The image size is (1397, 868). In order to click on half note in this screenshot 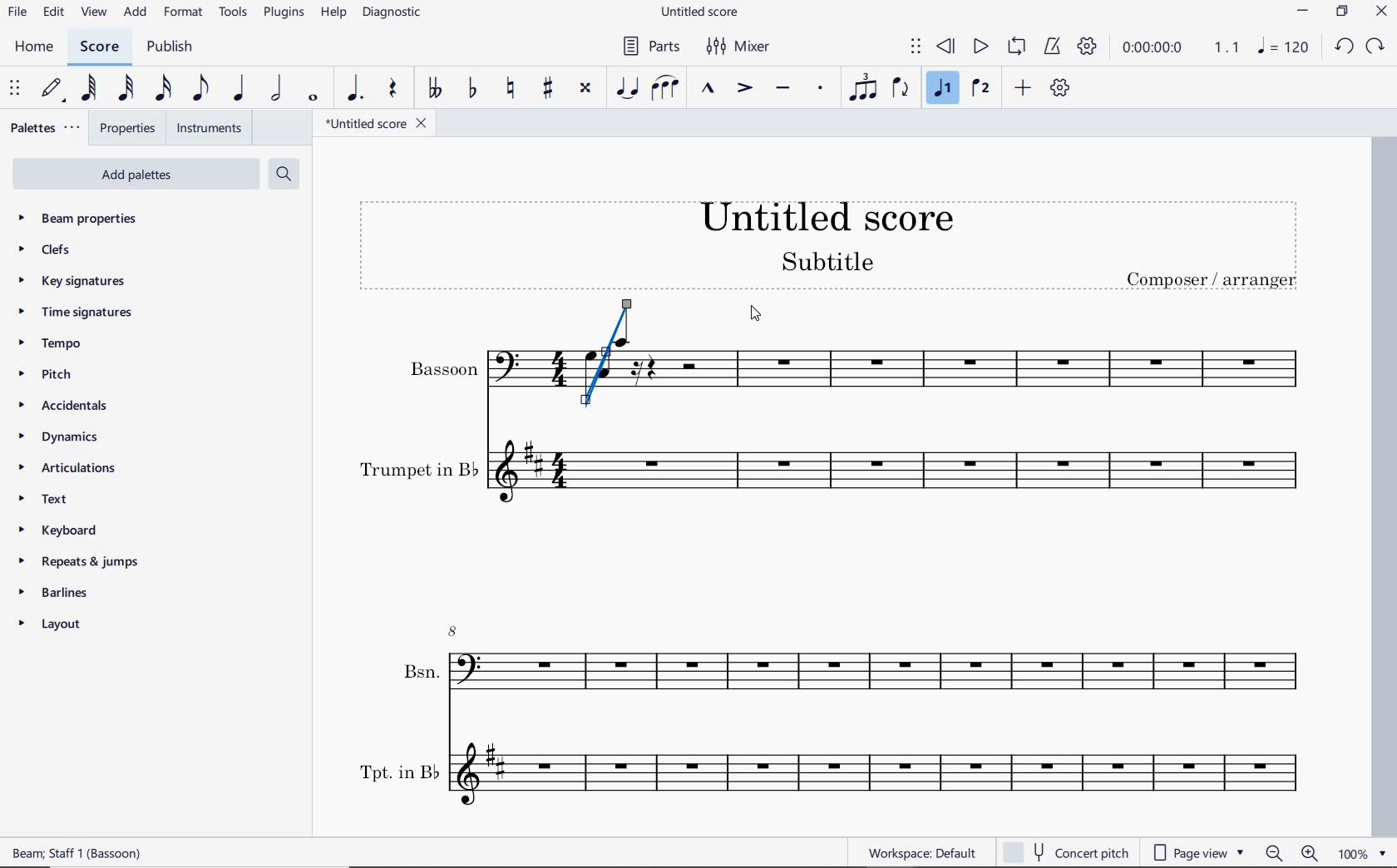, I will do `click(278, 90)`.